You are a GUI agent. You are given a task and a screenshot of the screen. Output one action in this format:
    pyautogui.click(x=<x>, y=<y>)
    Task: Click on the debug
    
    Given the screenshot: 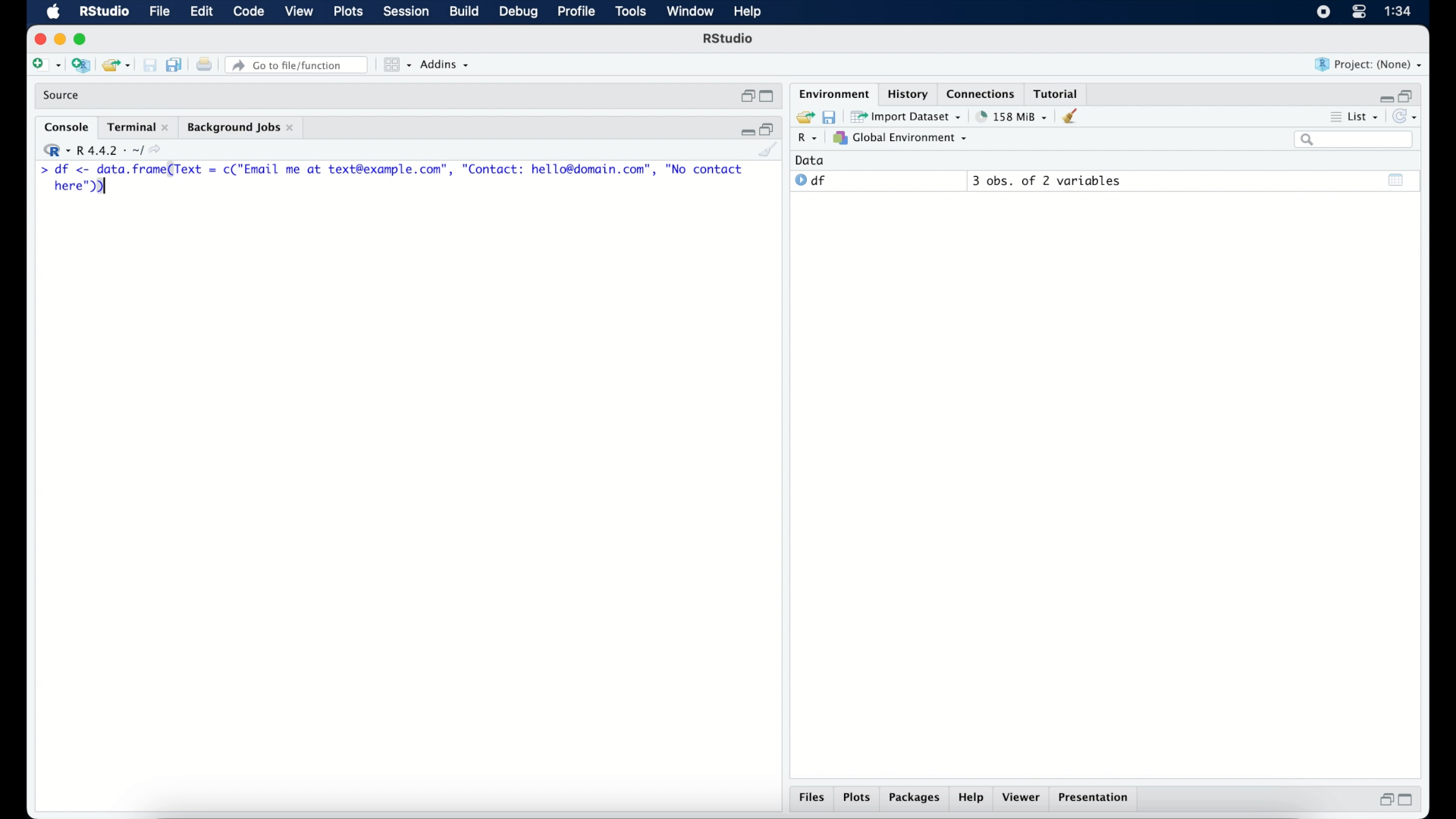 What is the action you would take?
    pyautogui.click(x=519, y=13)
    